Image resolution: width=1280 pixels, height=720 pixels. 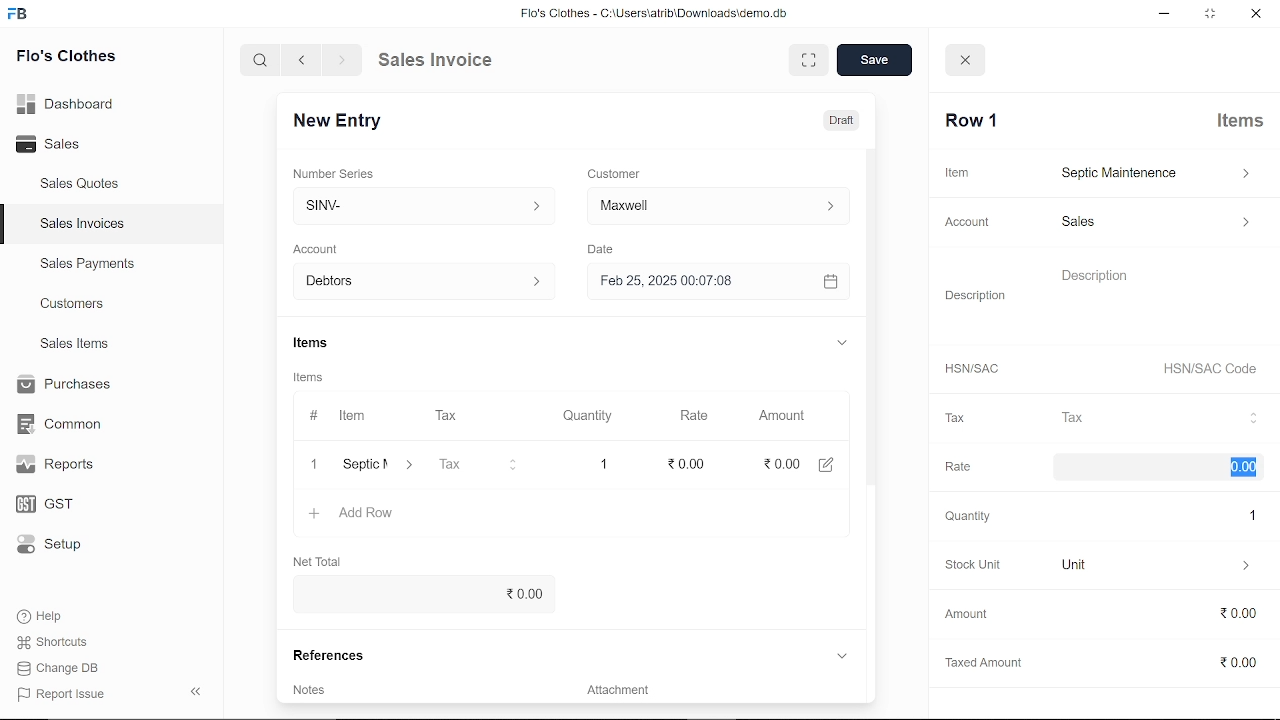 What do you see at coordinates (338, 657) in the screenshot?
I see `References.` at bounding box center [338, 657].